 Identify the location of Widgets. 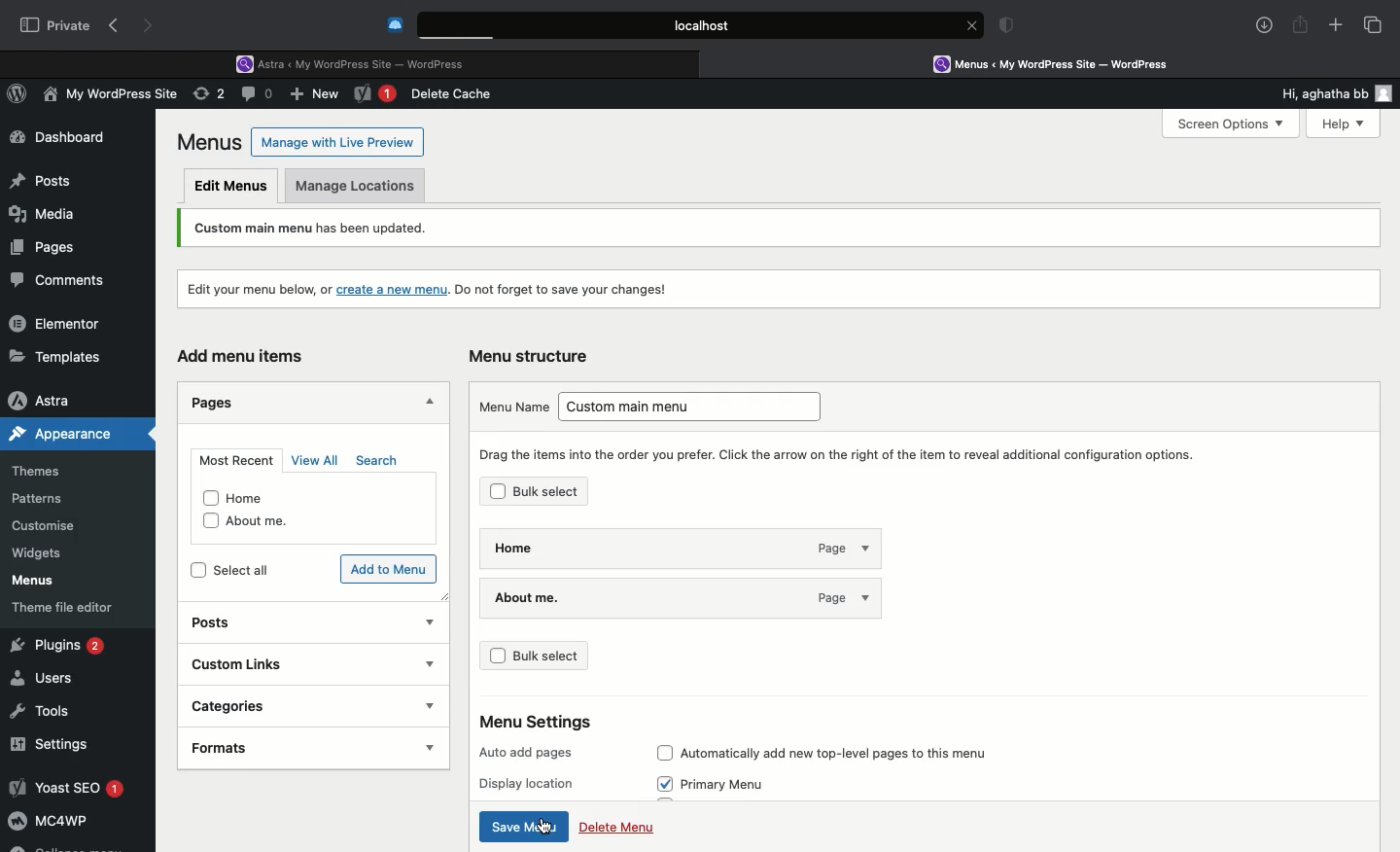
(39, 553).